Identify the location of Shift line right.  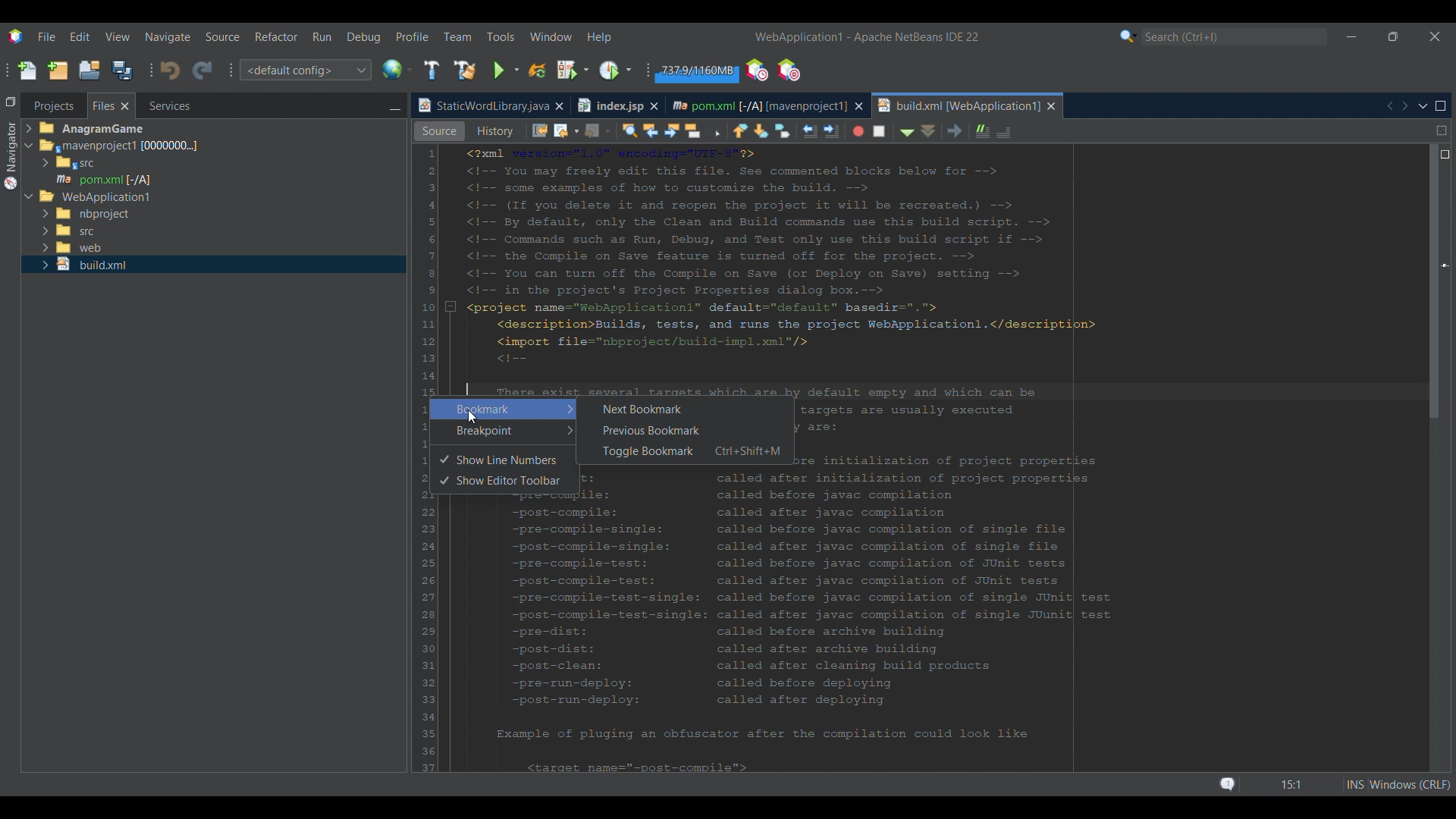
(964, 130).